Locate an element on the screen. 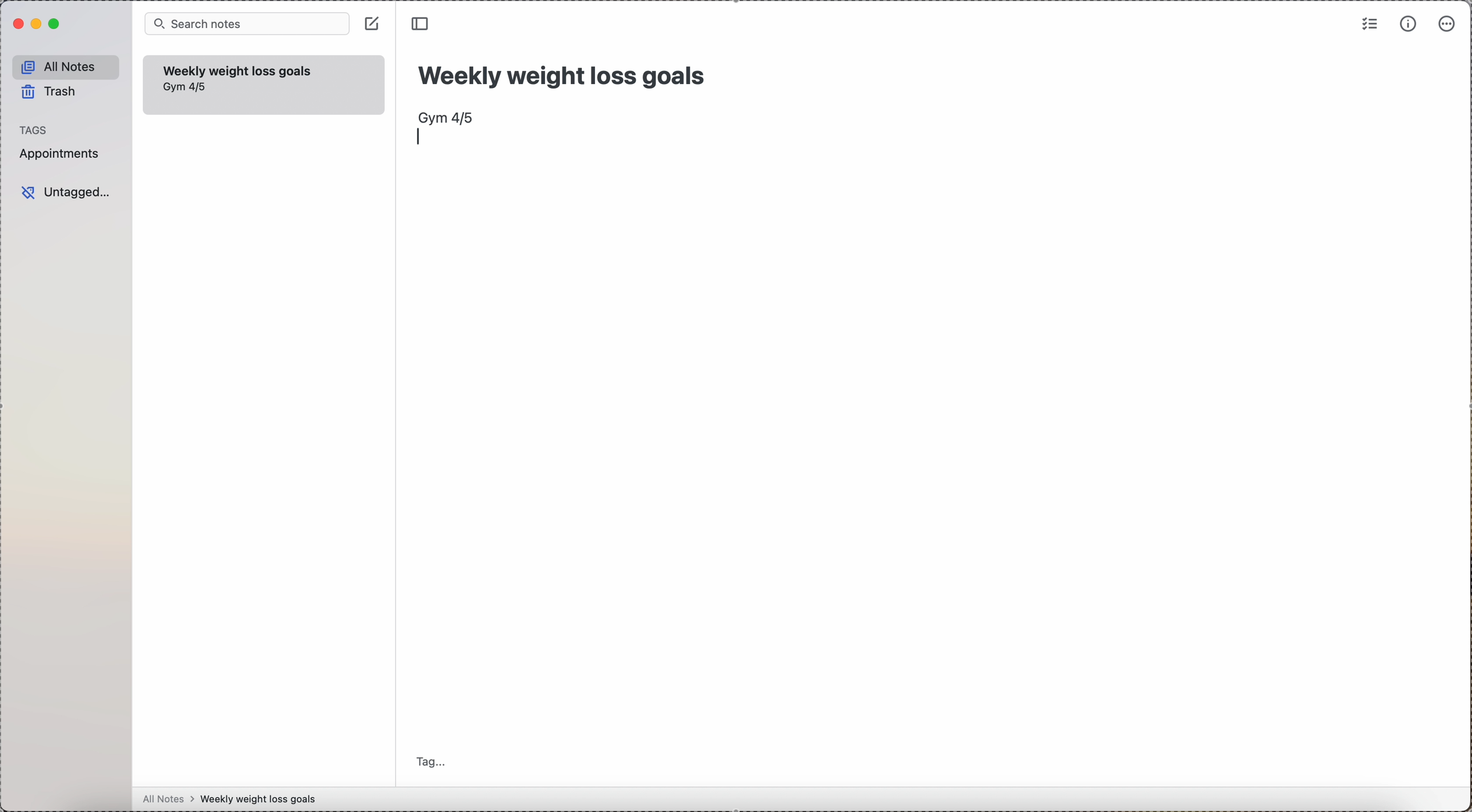 The height and width of the screenshot is (812, 1472). trash is located at coordinates (49, 91).